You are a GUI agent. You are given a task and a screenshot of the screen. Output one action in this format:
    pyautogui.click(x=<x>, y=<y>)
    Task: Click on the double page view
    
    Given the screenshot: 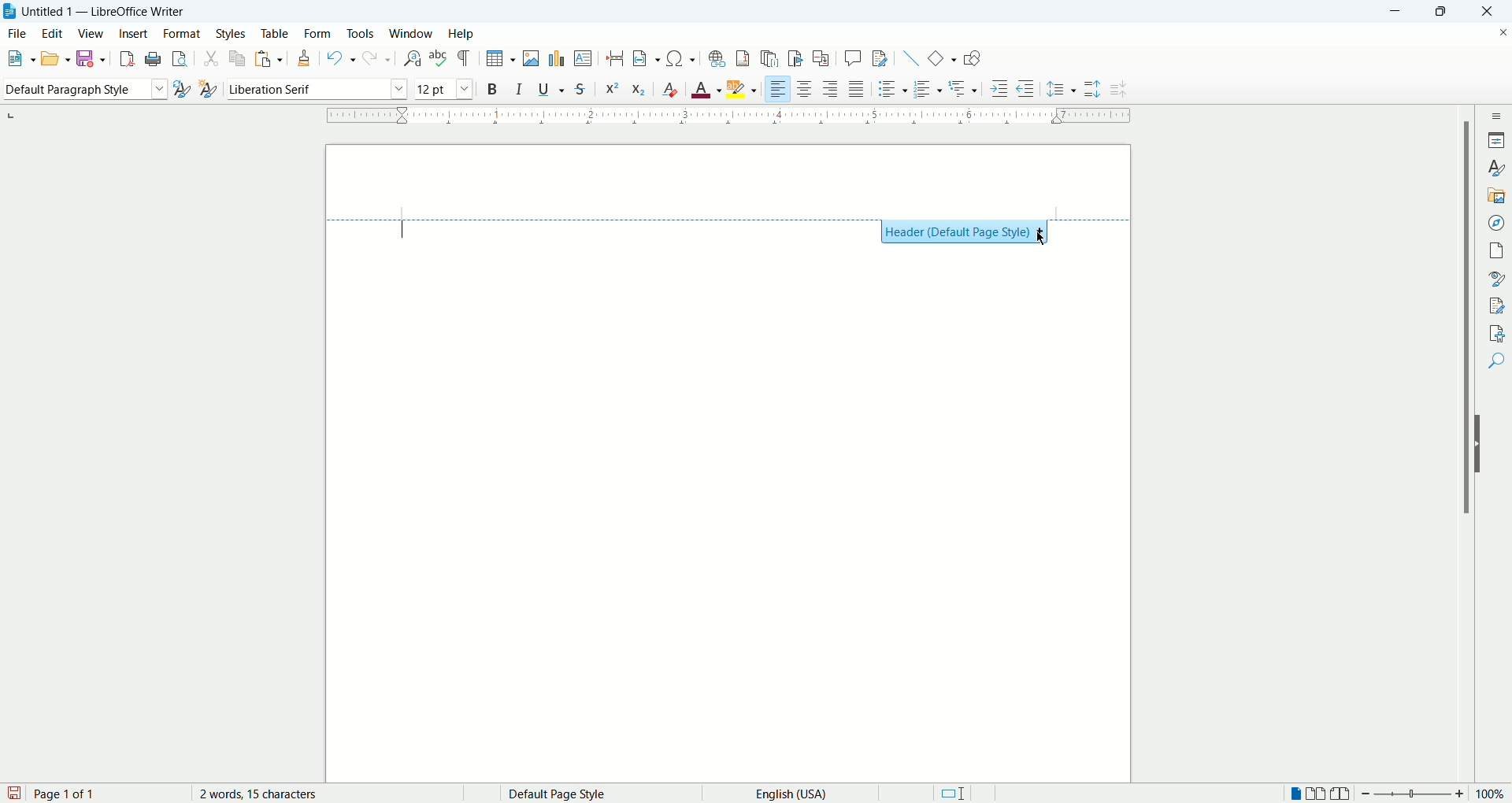 What is the action you would take?
    pyautogui.click(x=1316, y=794)
    